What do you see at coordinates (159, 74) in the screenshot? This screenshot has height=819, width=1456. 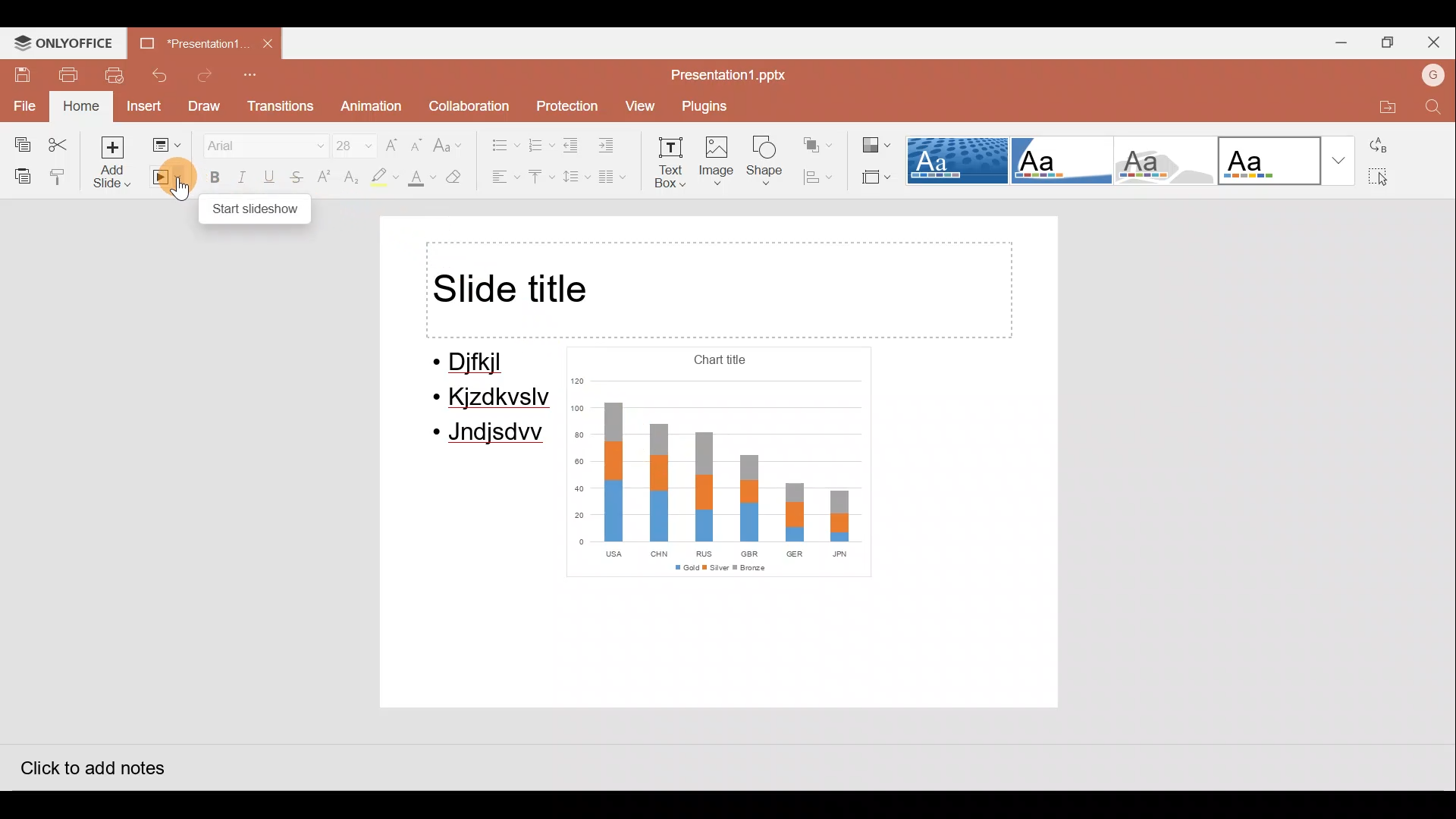 I see `Undo` at bounding box center [159, 74].